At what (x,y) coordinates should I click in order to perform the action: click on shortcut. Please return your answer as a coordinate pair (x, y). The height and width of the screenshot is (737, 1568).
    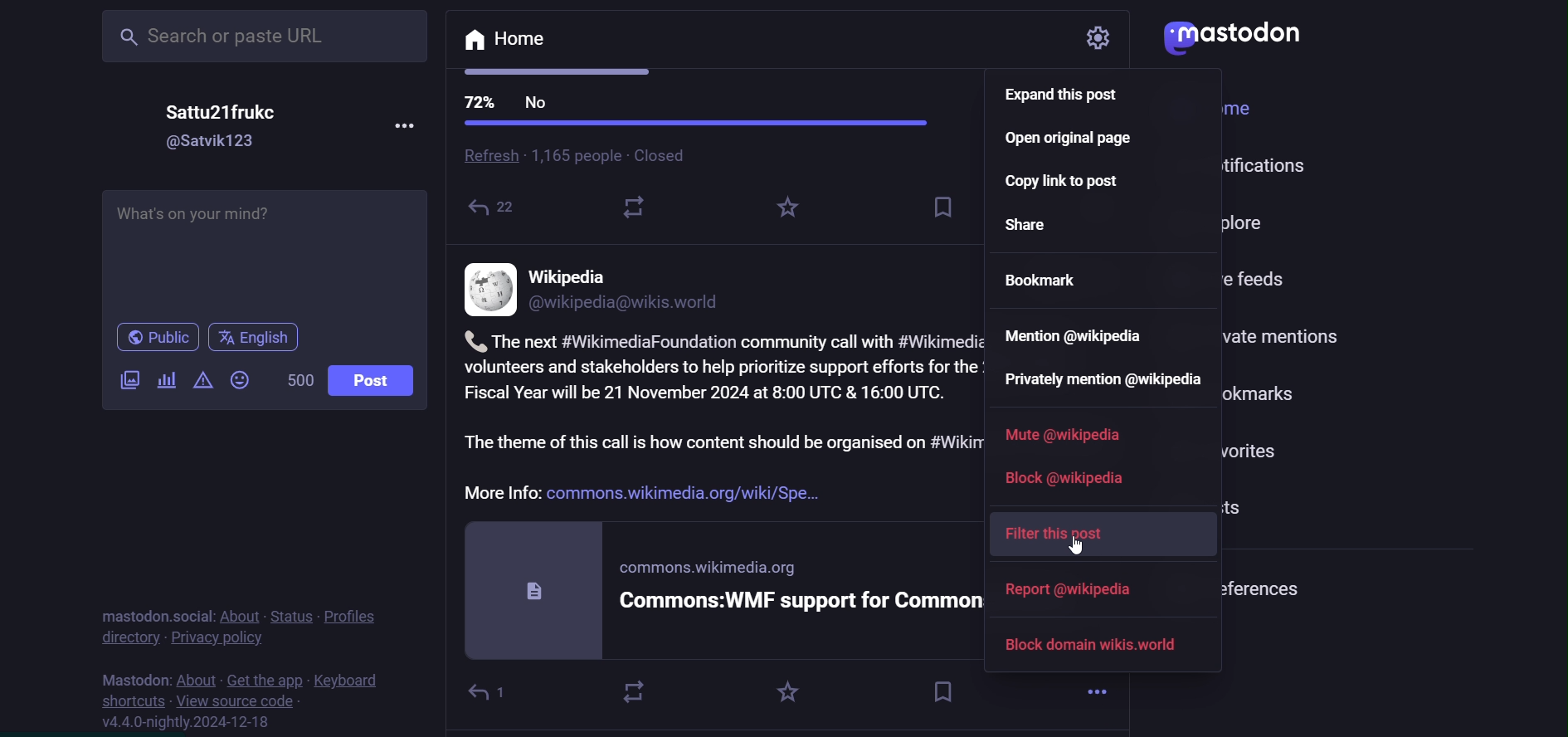
    Looking at the image, I should click on (126, 700).